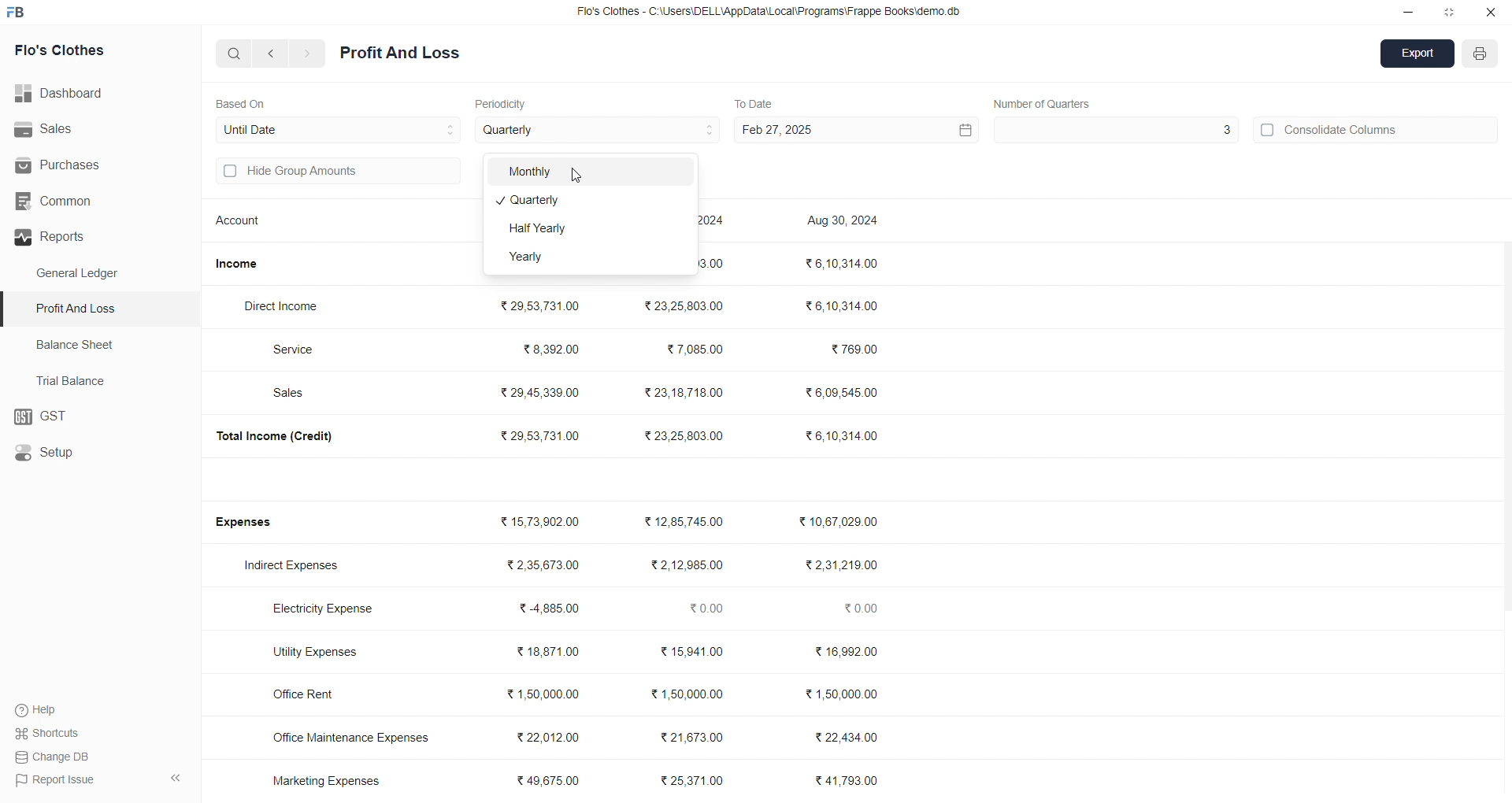 The width and height of the screenshot is (1512, 803). I want to click on ₹36,10,314.00, so click(842, 435).